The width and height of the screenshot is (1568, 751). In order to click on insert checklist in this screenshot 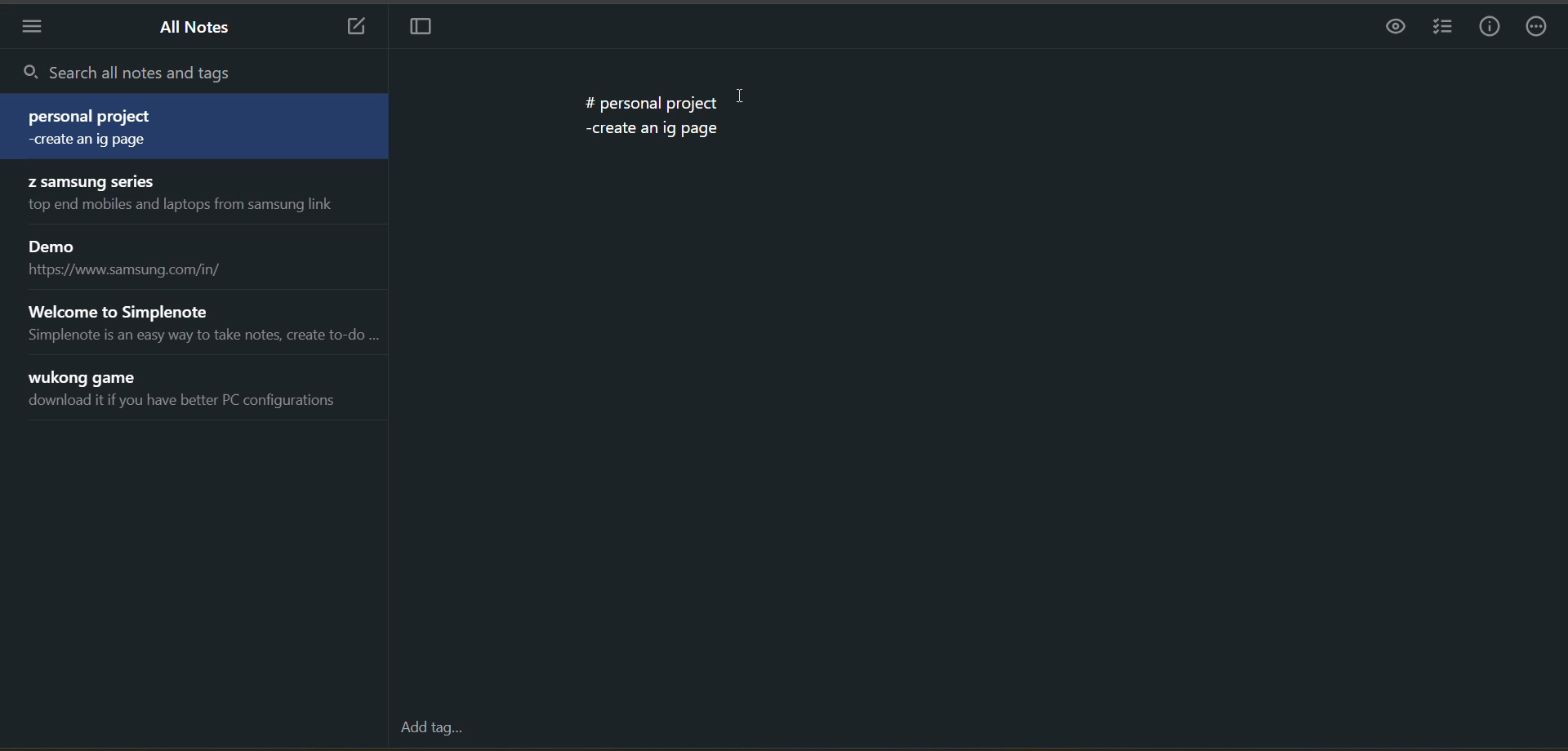, I will do `click(1444, 29)`.